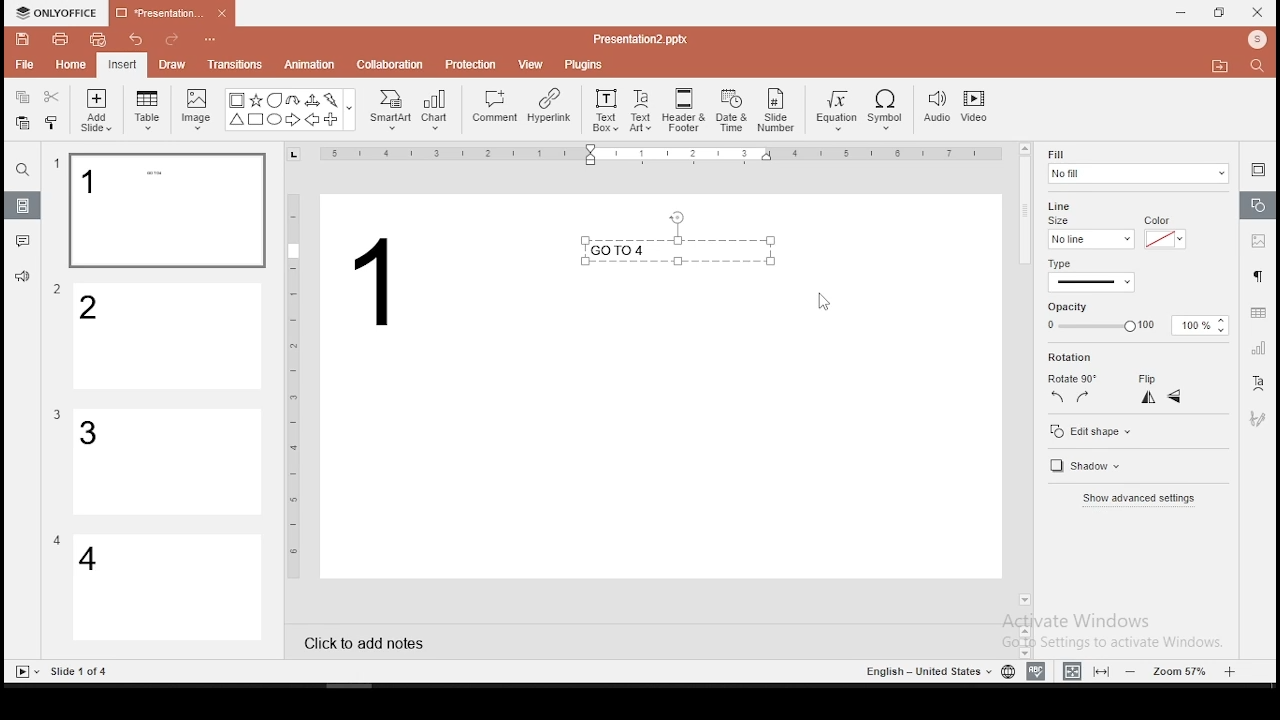 The height and width of the screenshot is (720, 1280). What do you see at coordinates (640, 38) in the screenshot?
I see `` at bounding box center [640, 38].